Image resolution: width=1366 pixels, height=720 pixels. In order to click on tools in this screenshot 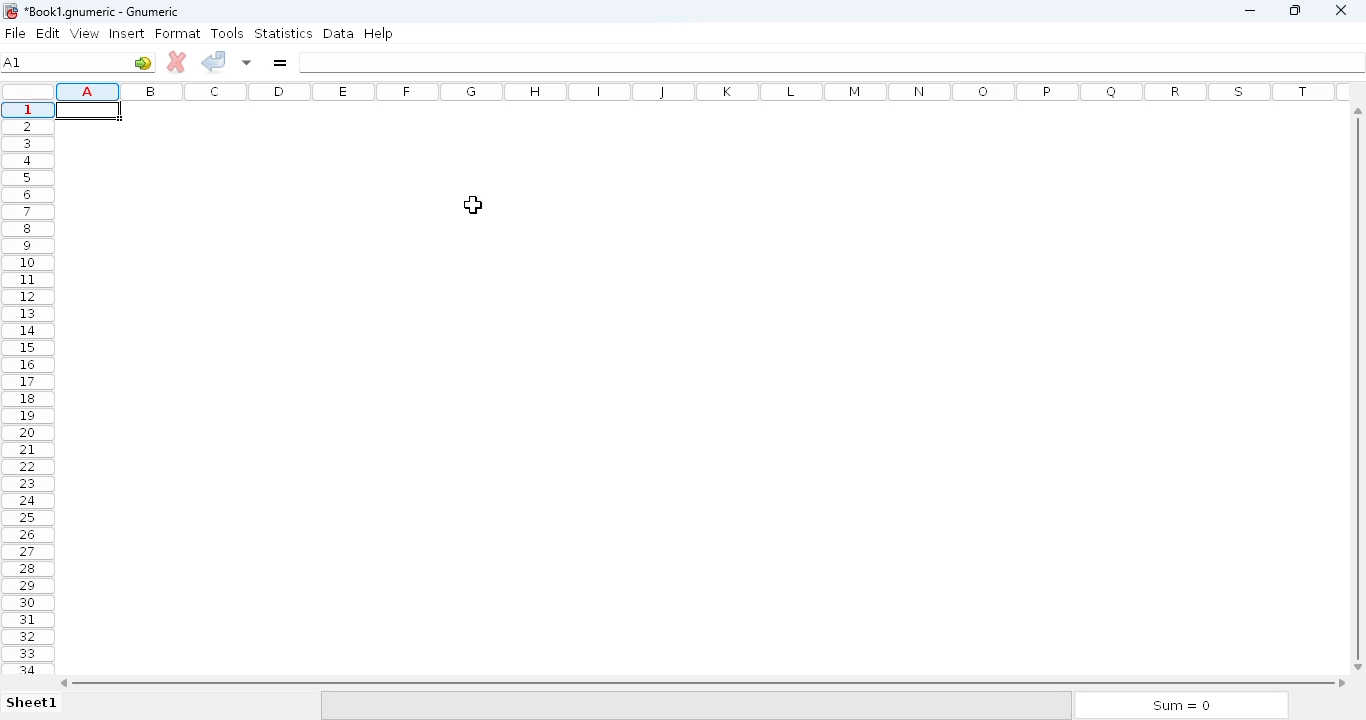, I will do `click(228, 33)`.